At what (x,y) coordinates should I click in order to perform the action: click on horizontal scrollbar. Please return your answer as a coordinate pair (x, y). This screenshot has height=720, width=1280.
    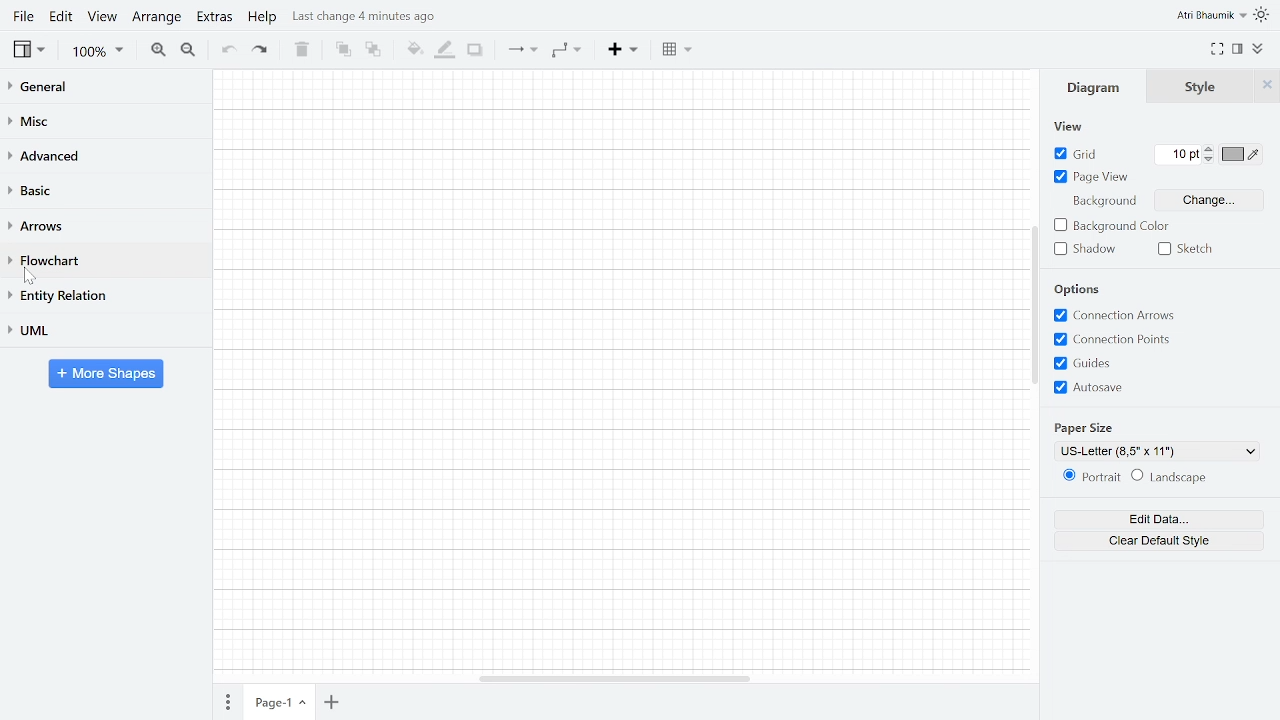
    Looking at the image, I should click on (622, 679).